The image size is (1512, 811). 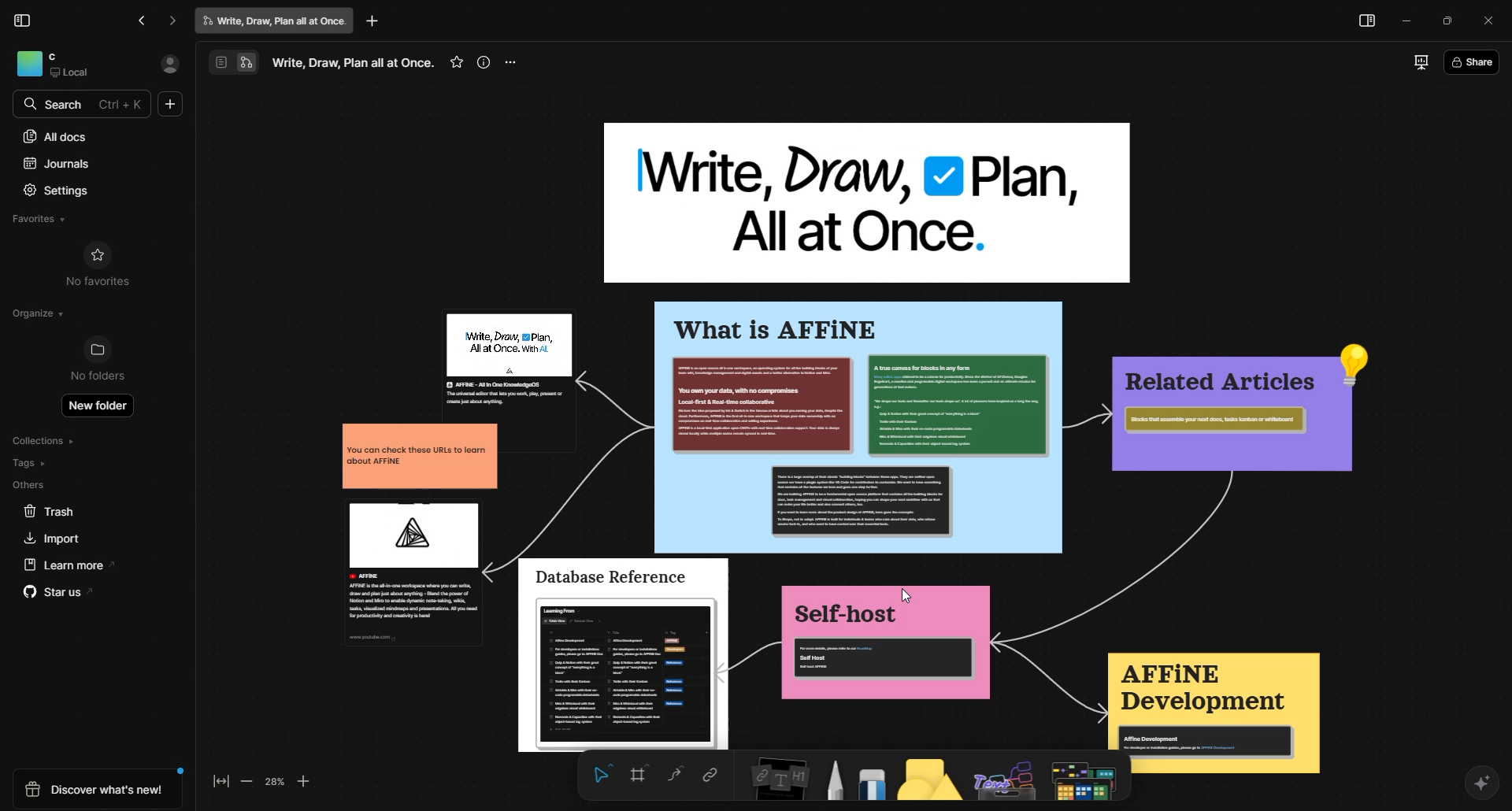 I want to click on Zoom, so click(x=278, y=784).